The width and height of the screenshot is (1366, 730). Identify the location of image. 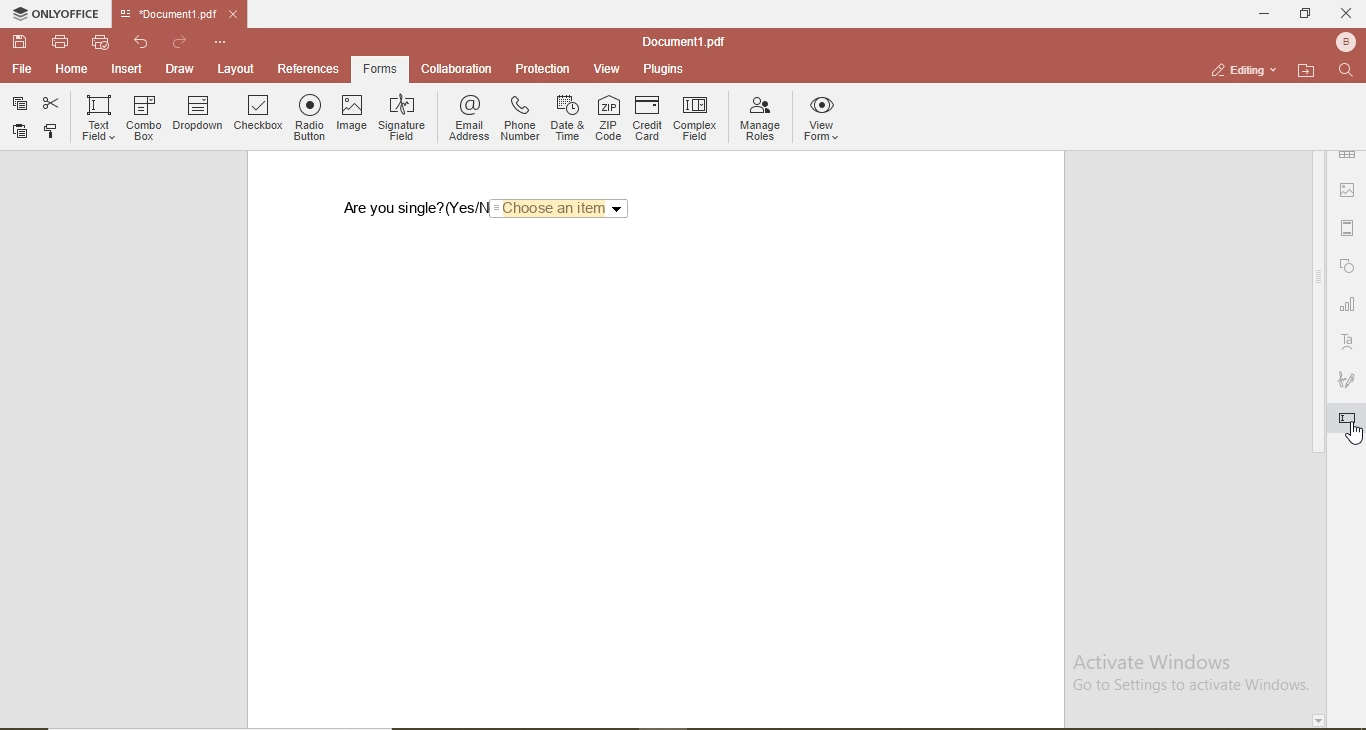
(1348, 187).